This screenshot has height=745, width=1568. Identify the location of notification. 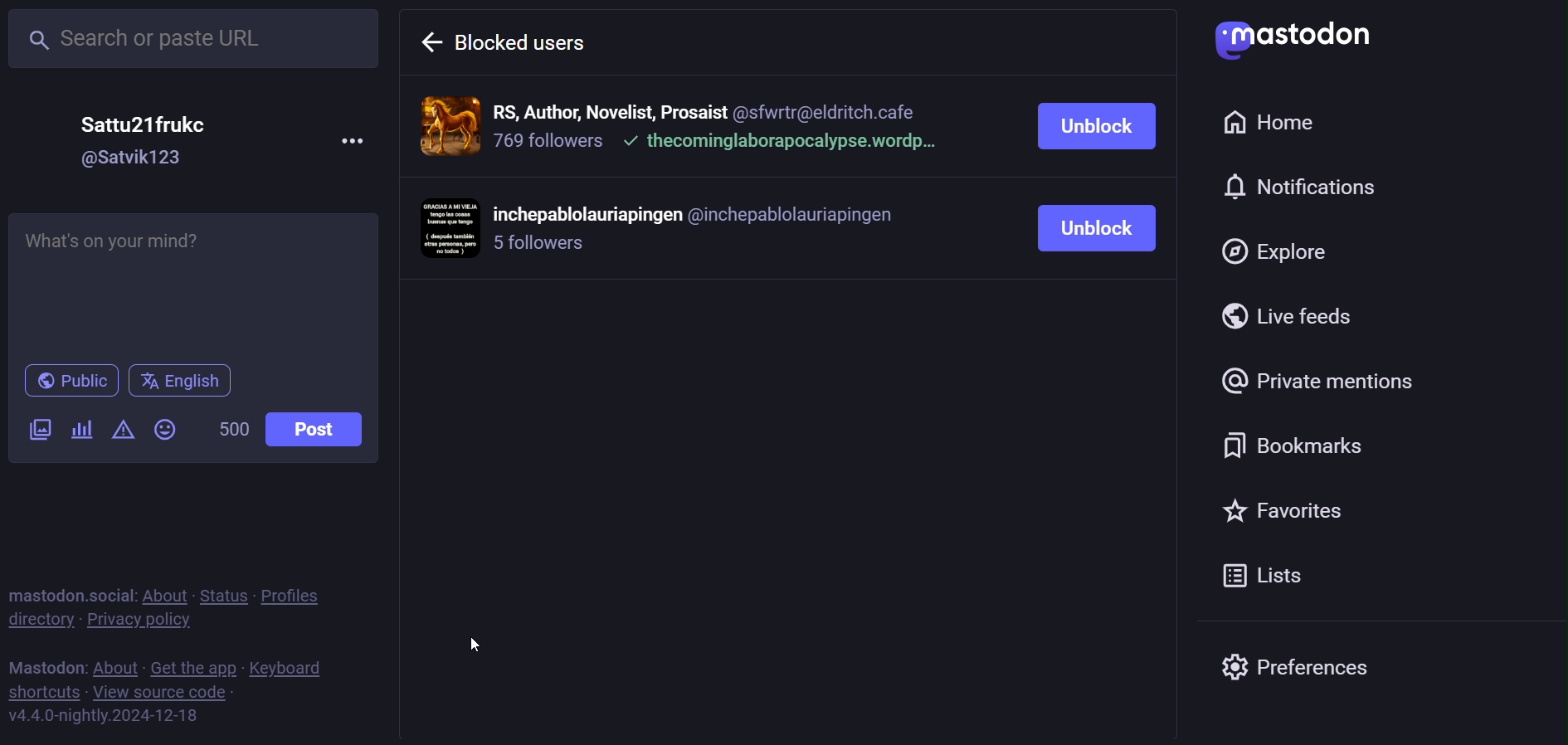
(1285, 190).